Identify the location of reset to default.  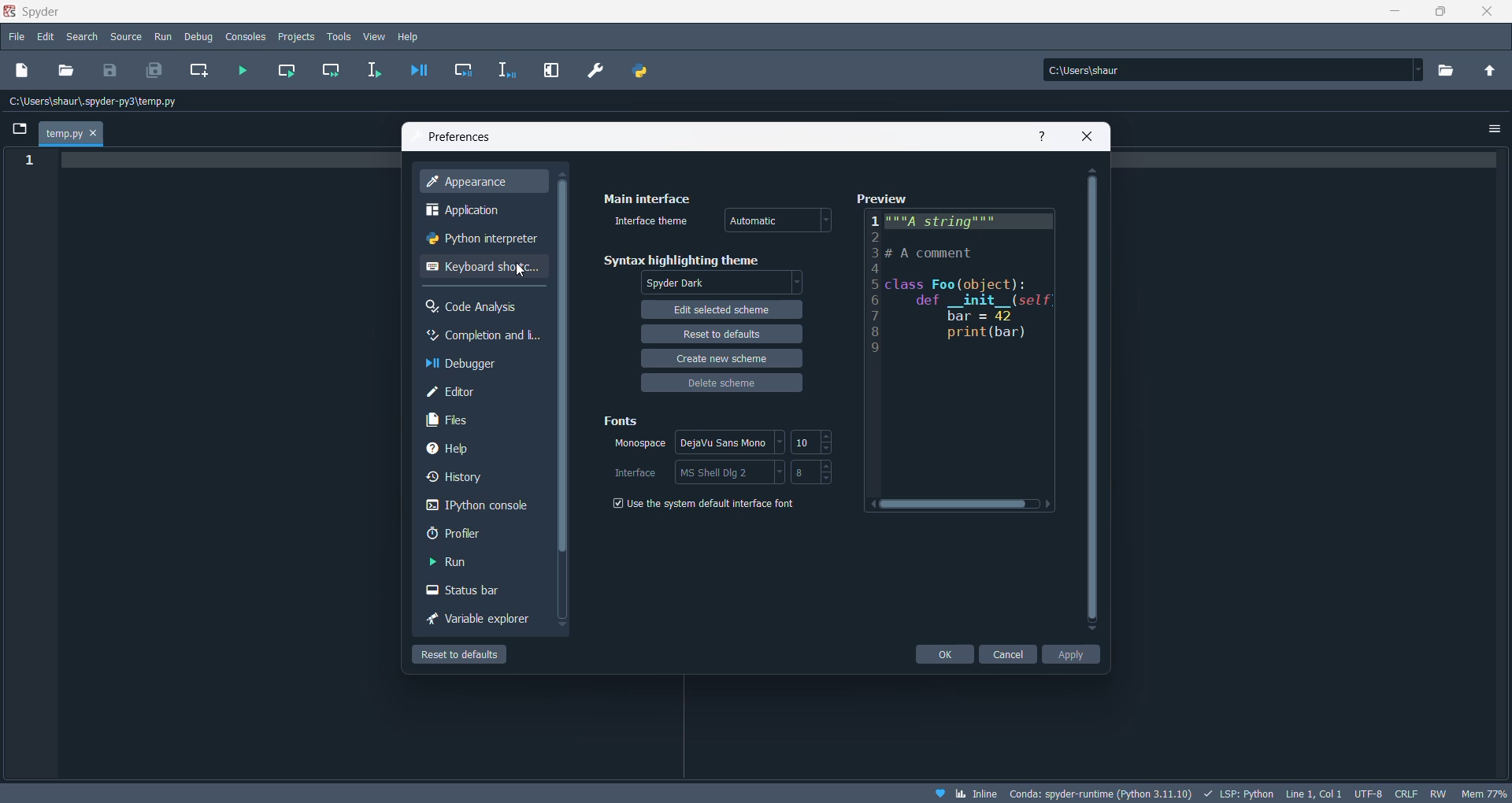
(474, 654).